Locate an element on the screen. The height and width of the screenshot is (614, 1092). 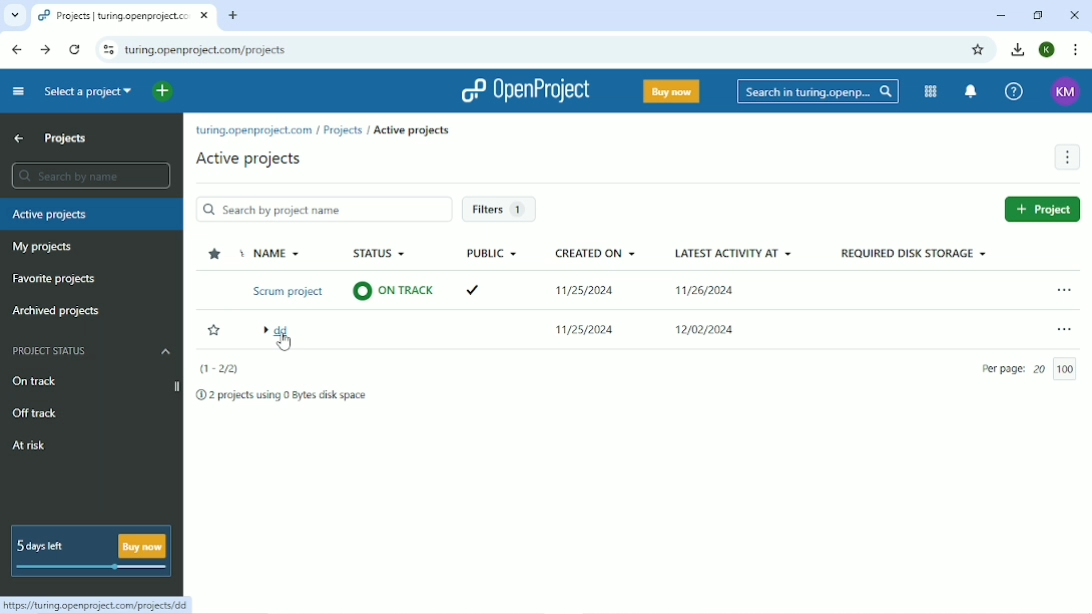
OpenProject is located at coordinates (525, 91).